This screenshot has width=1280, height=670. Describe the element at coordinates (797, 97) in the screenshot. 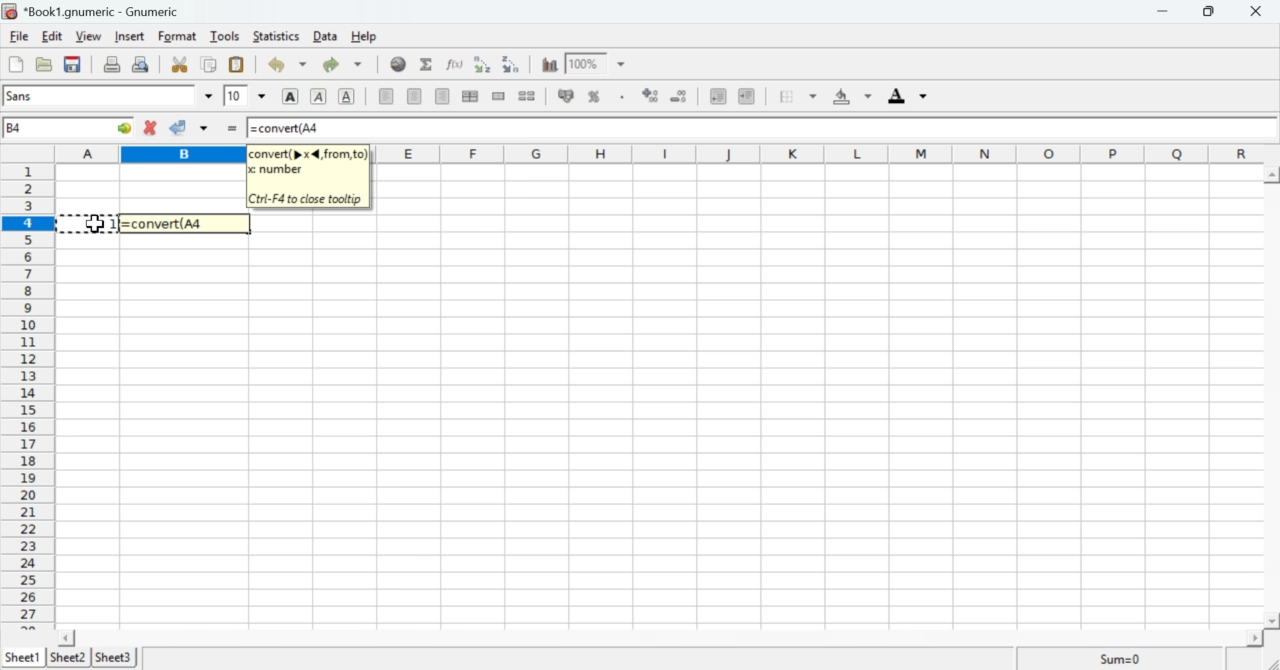

I see `Borders` at that location.